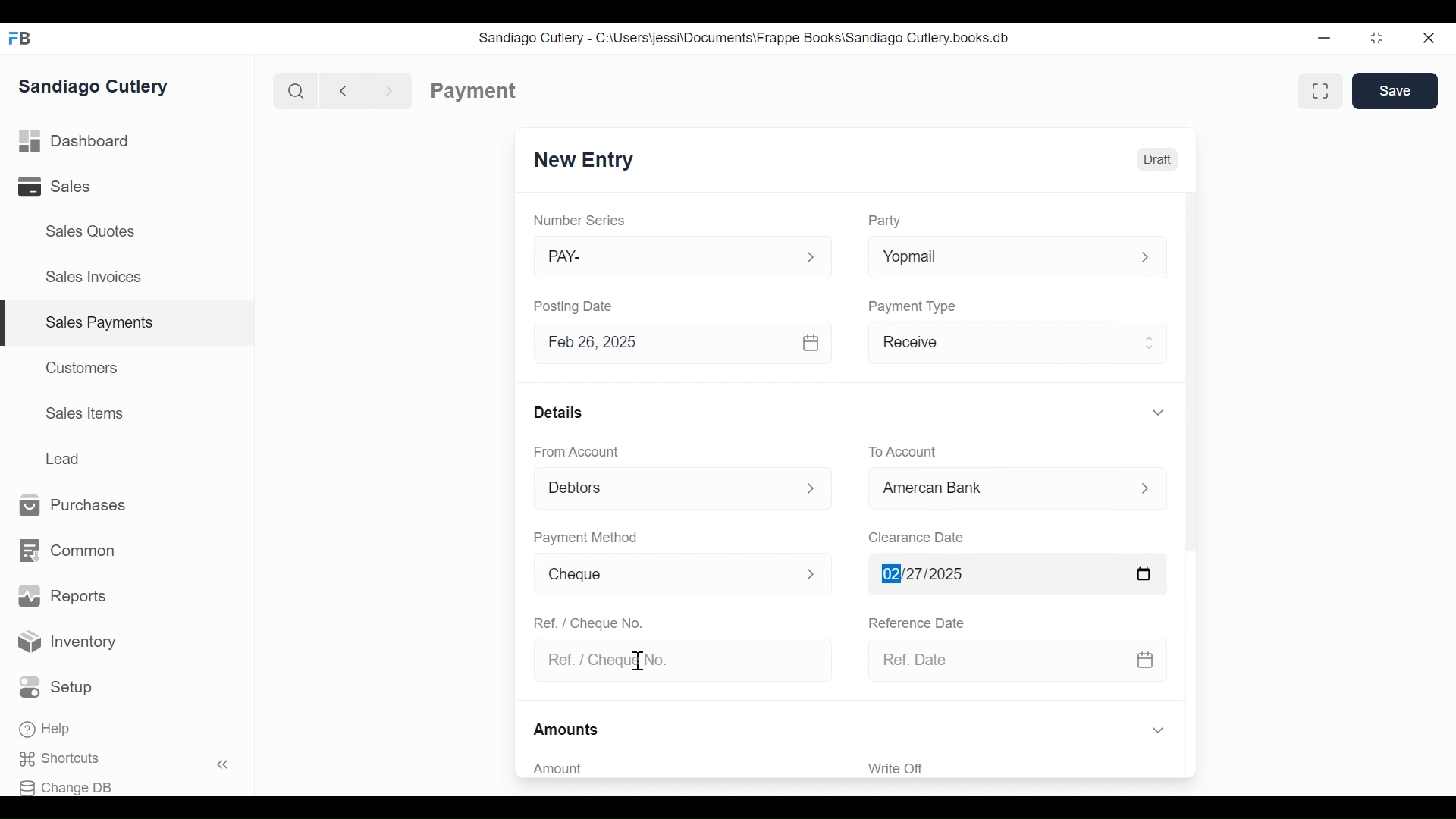 This screenshot has width=1456, height=819. Describe the element at coordinates (663, 490) in the screenshot. I see `Debtors` at that location.